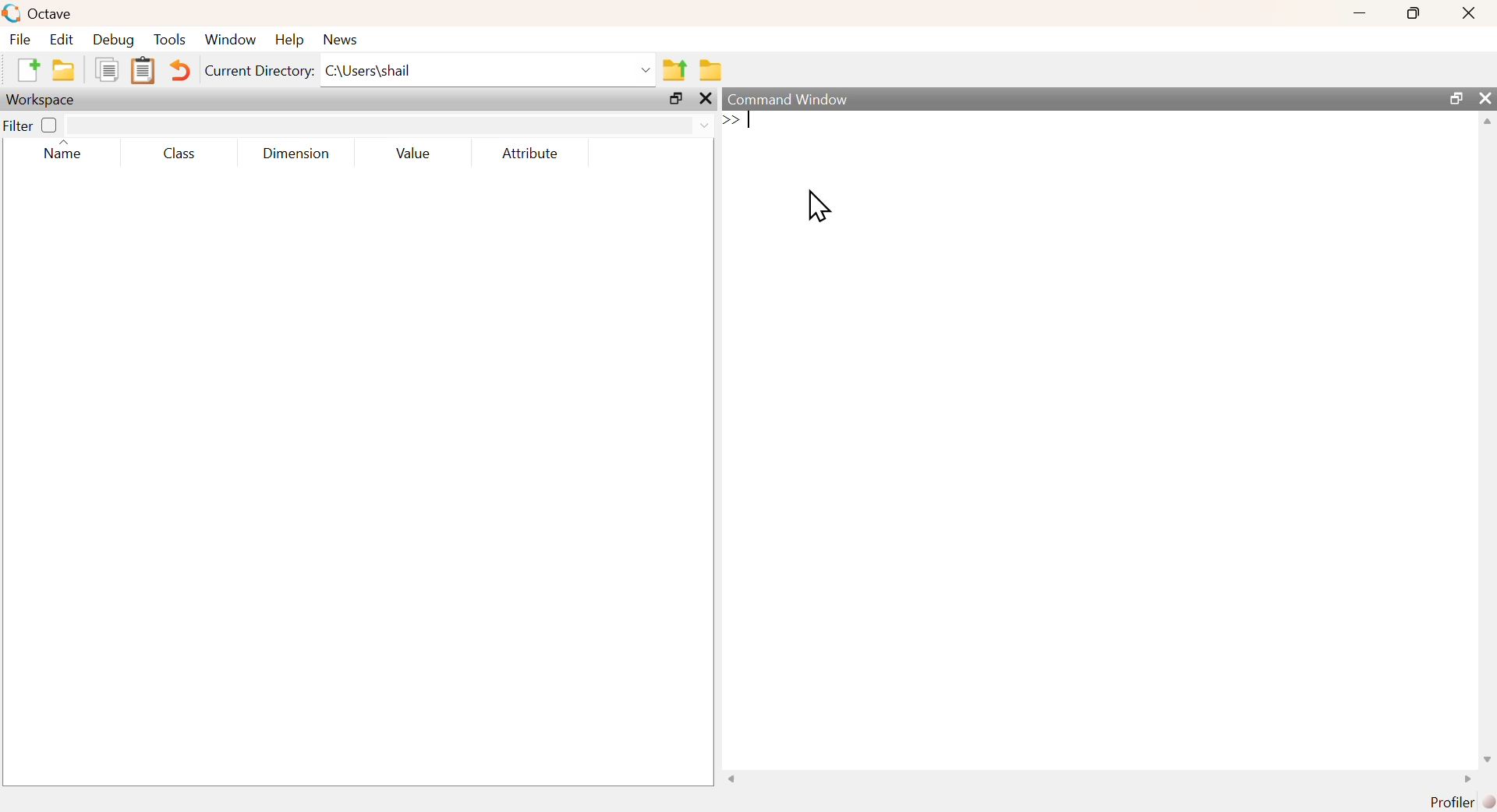  What do you see at coordinates (369, 71) in the screenshot?
I see `C:\Users\shail` at bounding box center [369, 71].